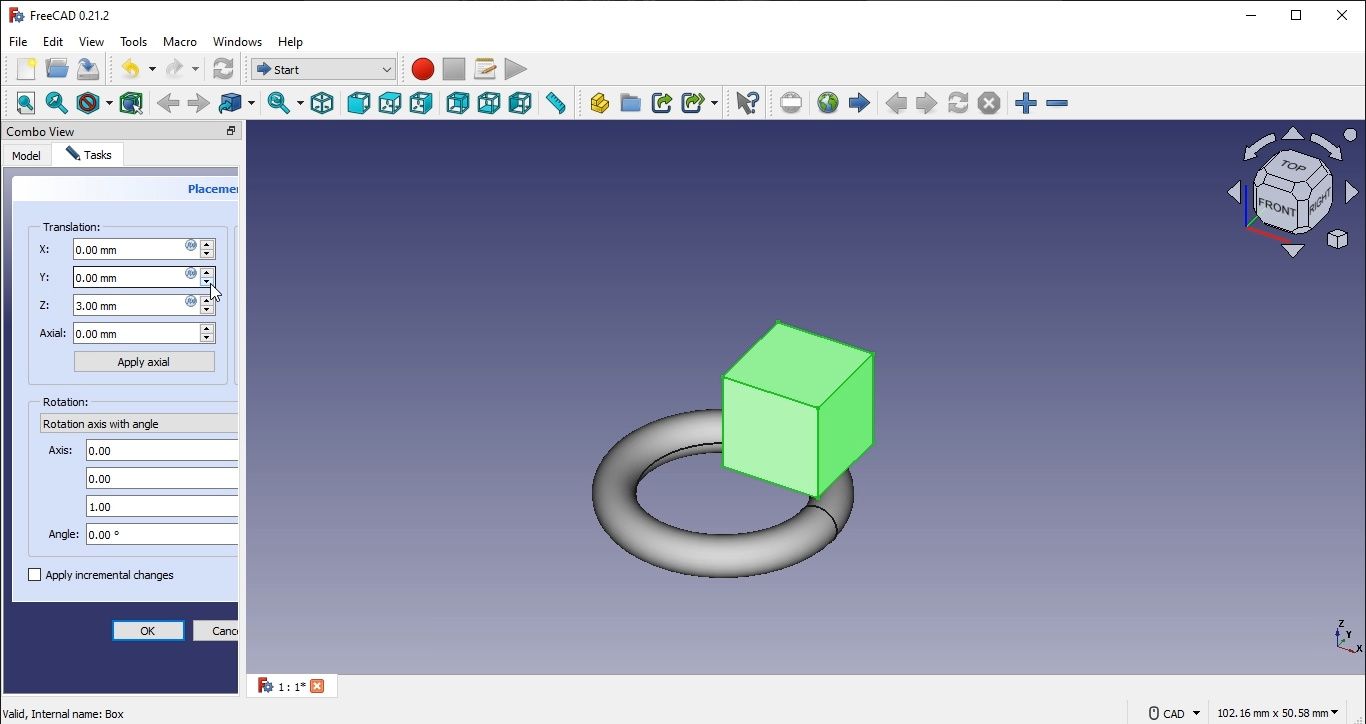 The width and height of the screenshot is (1366, 724). I want to click on close, so click(1342, 13).